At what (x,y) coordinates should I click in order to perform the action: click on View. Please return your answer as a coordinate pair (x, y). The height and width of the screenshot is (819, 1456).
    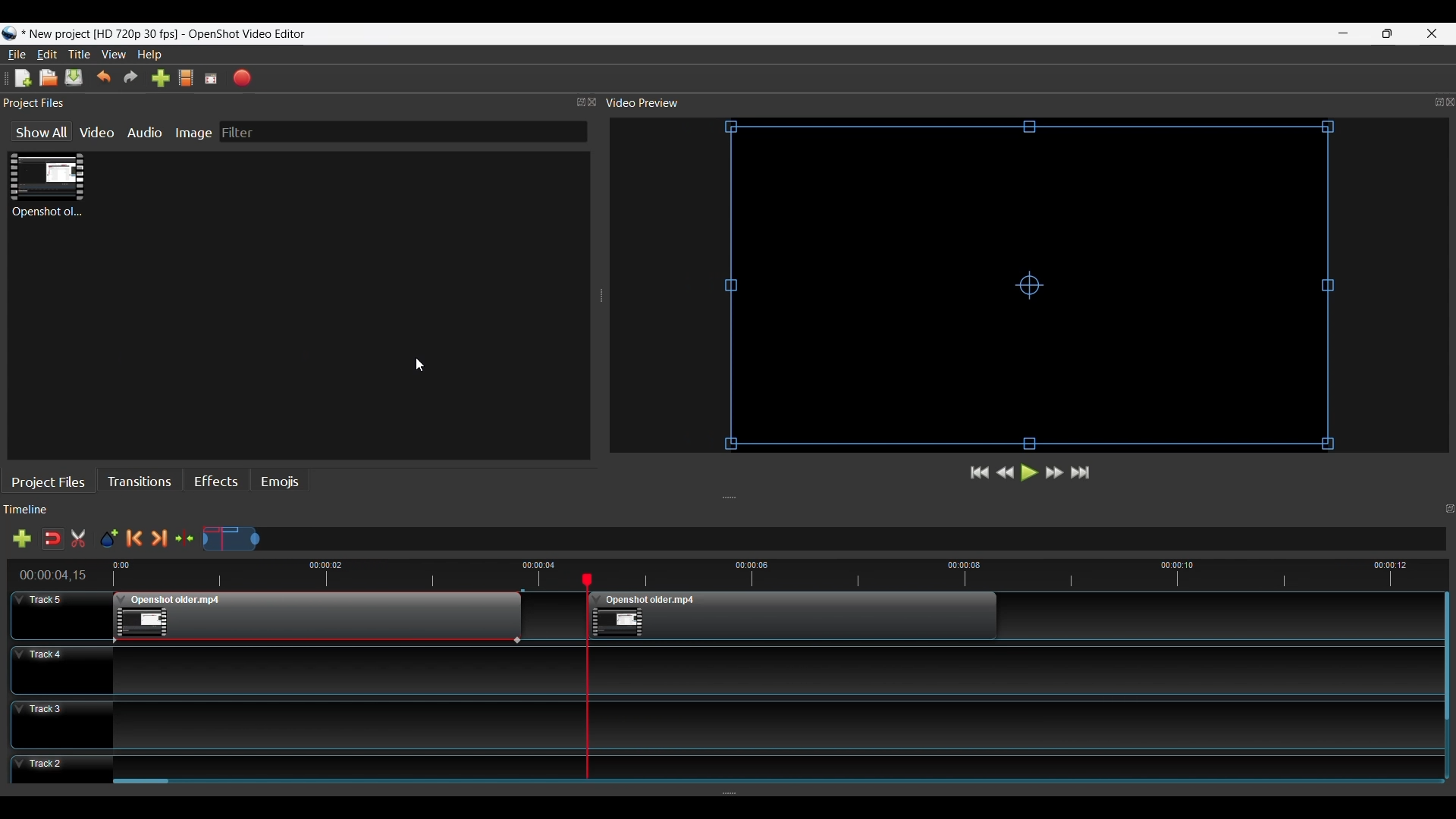
    Looking at the image, I should click on (115, 55).